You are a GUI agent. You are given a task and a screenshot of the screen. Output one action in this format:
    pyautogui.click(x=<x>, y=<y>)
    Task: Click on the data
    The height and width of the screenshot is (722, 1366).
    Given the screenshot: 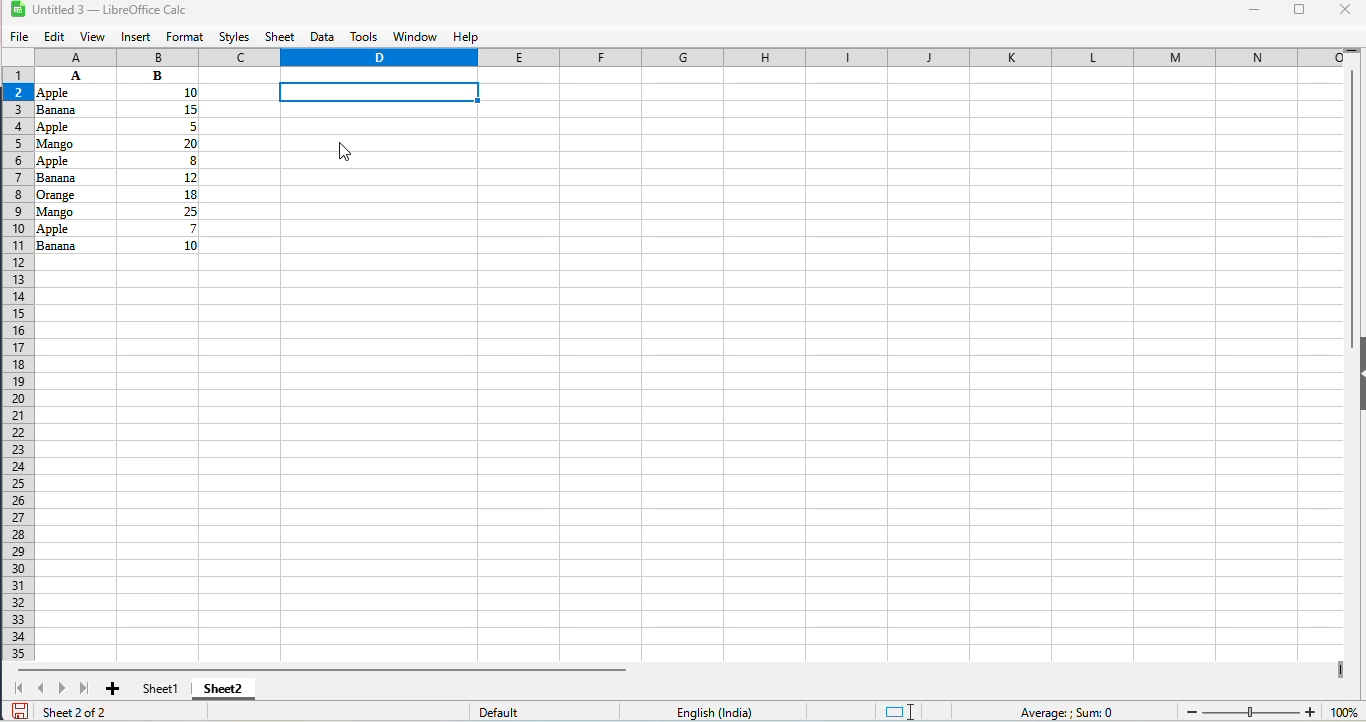 What is the action you would take?
    pyautogui.click(x=117, y=159)
    